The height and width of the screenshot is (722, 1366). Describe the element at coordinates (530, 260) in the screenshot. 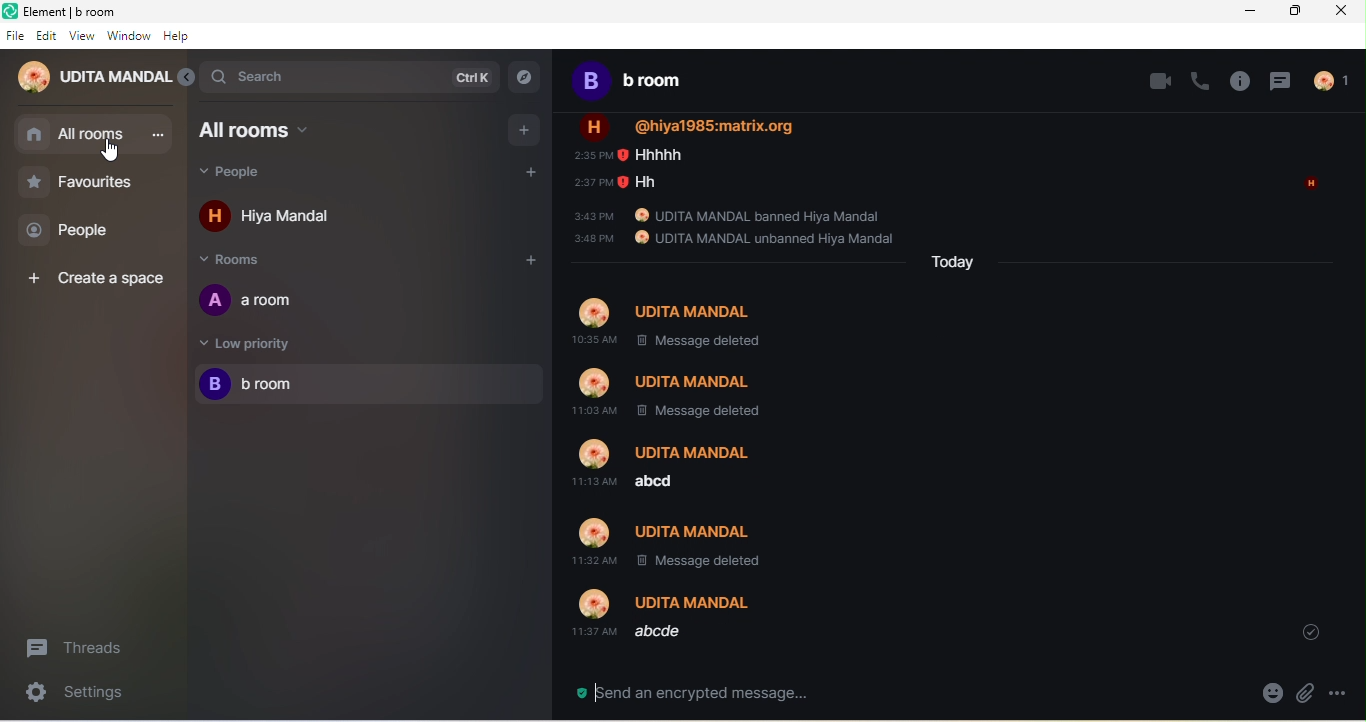

I see `add room` at that location.